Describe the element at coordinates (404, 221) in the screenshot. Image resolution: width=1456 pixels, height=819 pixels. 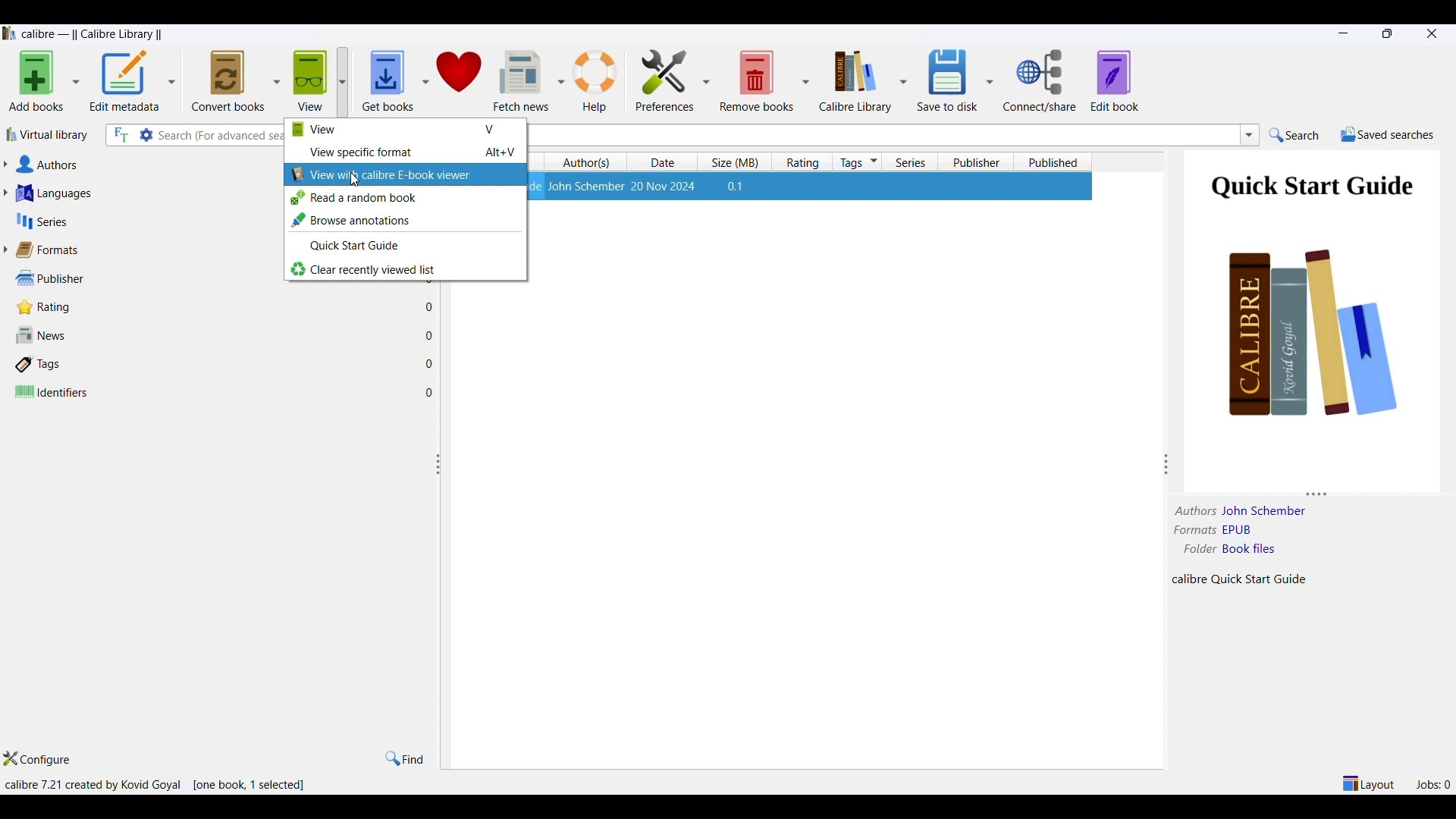
I see `browse annotations` at that location.